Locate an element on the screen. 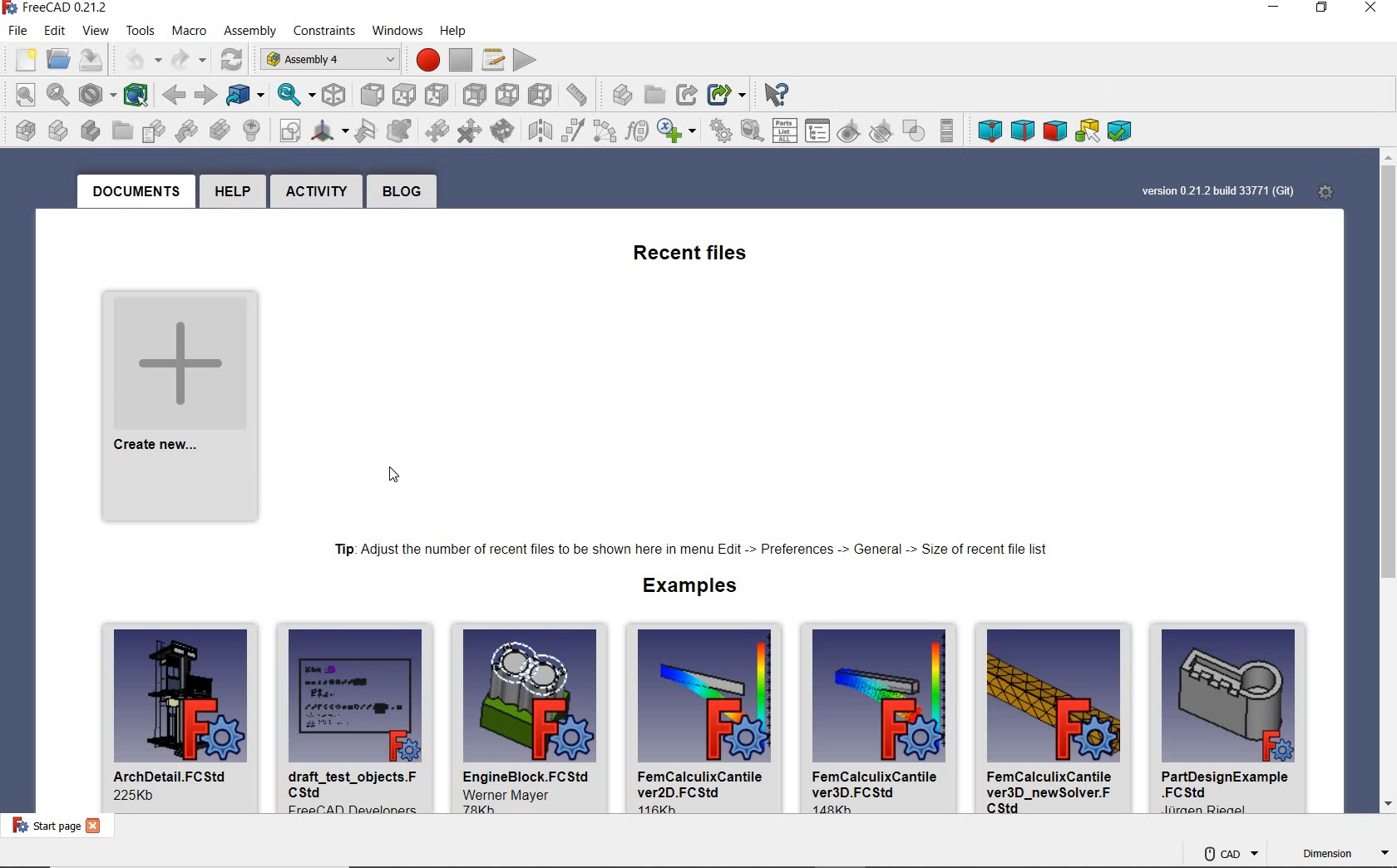  create a shape binder is located at coordinates (367, 131).